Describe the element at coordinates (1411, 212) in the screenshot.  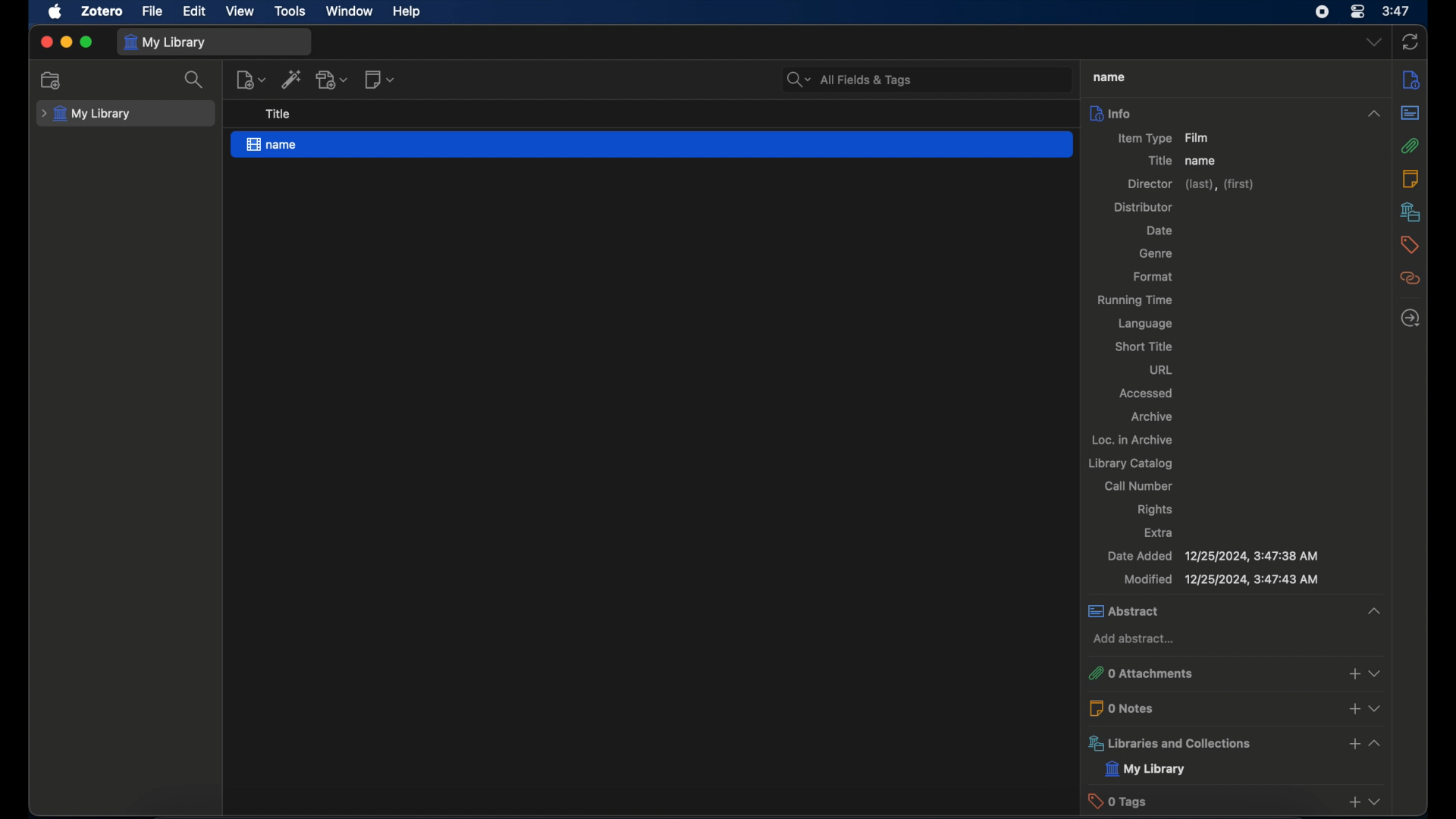
I see `libraries` at that location.